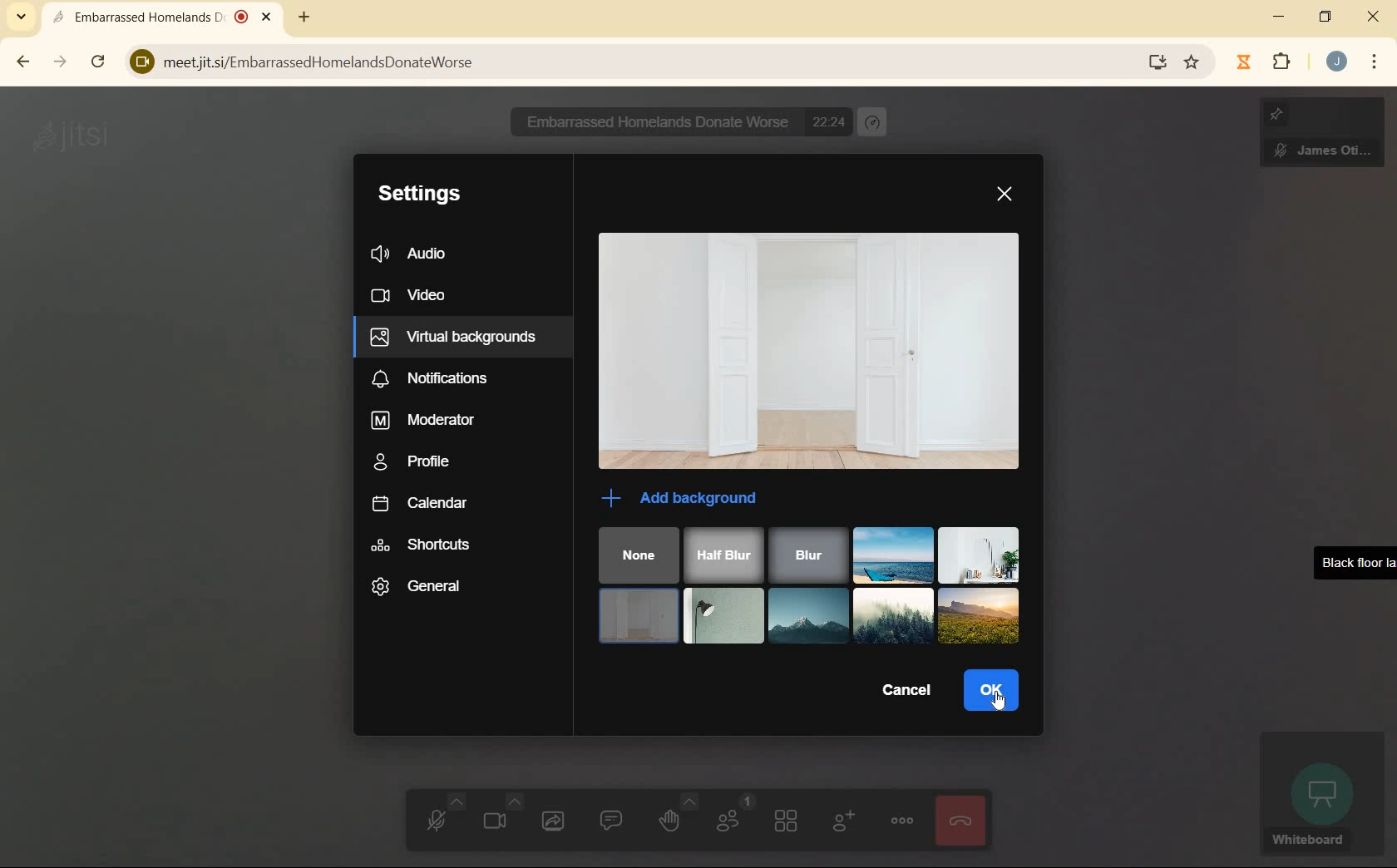 The width and height of the screenshot is (1397, 868). Describe the element at coordinates (456, 335) in the screenshot. I see `virtual backgrounds` at that location.